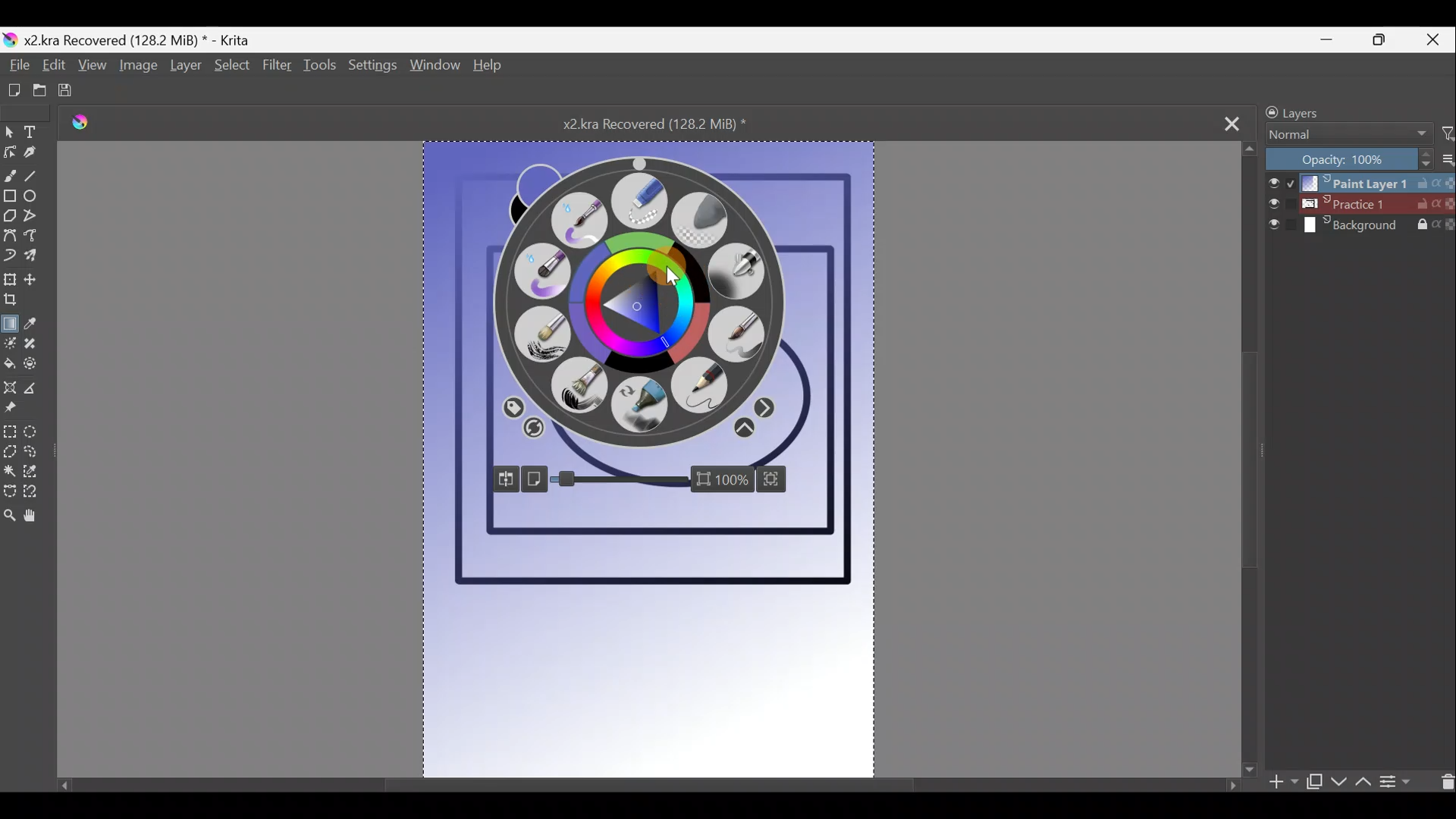 This screenshot has width=1456, height=819. Describe the element at coordinates (739, 335) in the screenshot. I see `Basic 5 size opacity` at that location.